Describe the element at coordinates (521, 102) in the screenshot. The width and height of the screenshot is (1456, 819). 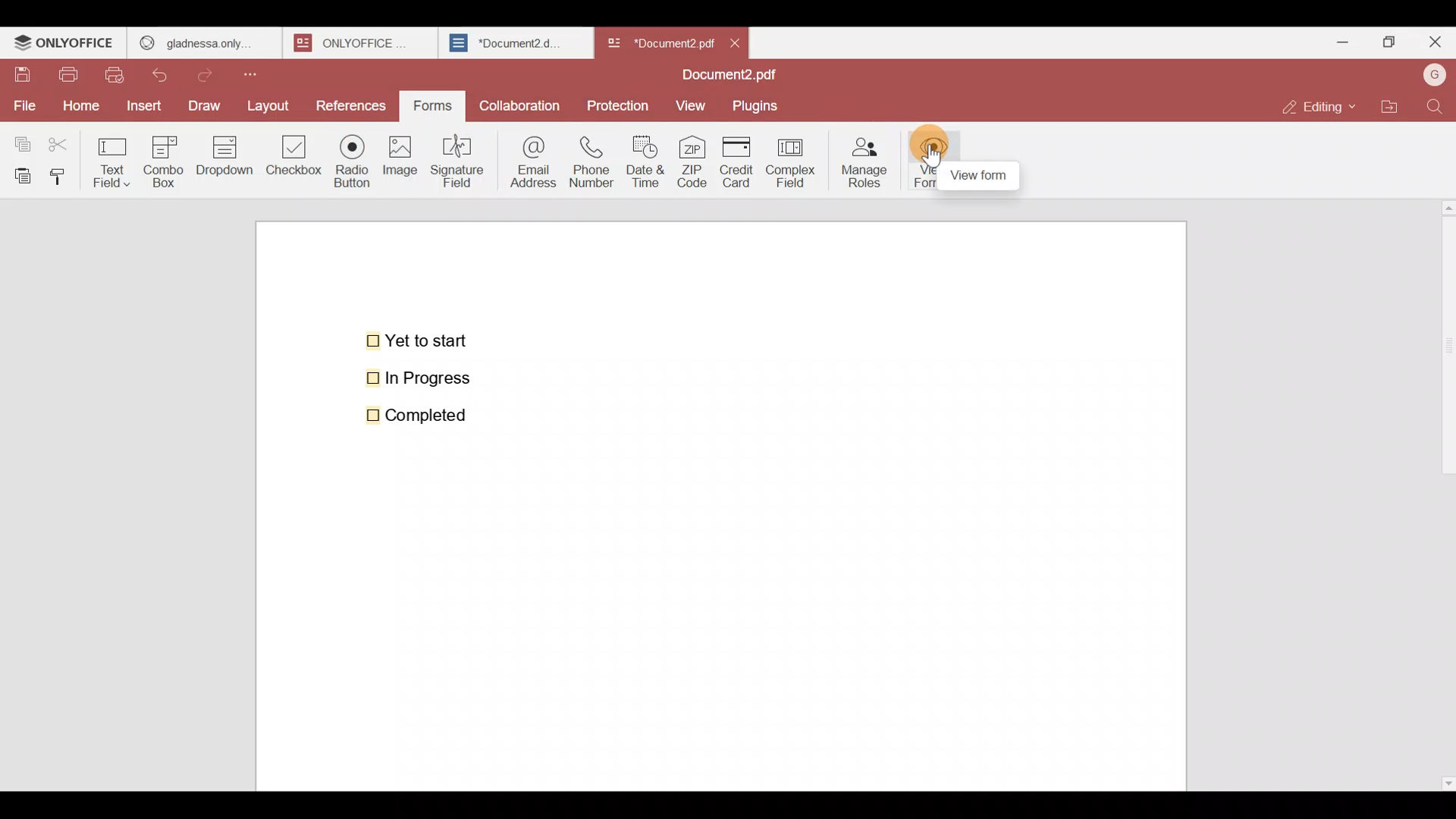
I see `Collaboration` at that location.